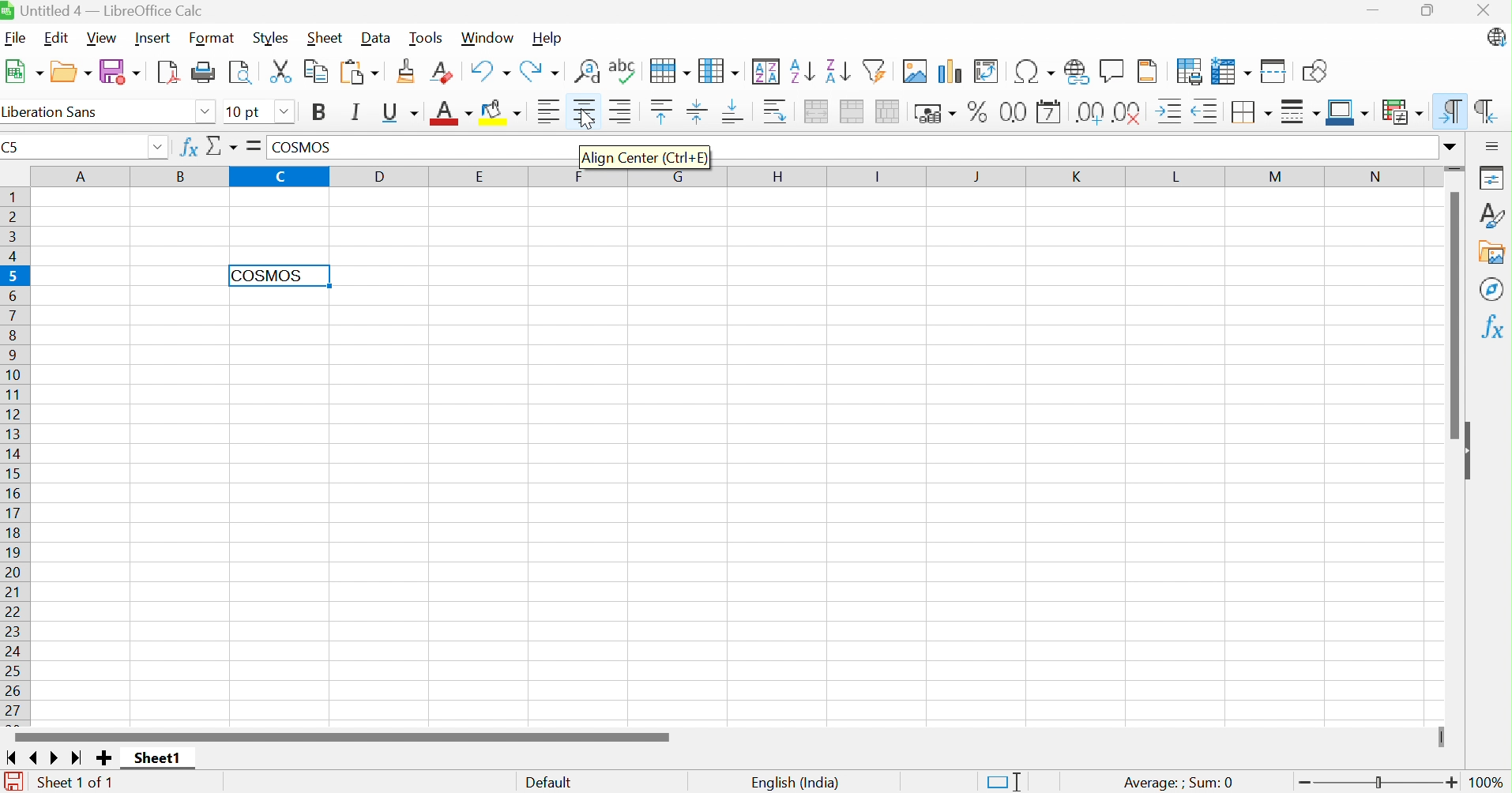 The height and width of the screenshot is (793, 1512). Describe the element at coordinates (408, 71) in the screenshot. I see `Clone Formatting` at that location.